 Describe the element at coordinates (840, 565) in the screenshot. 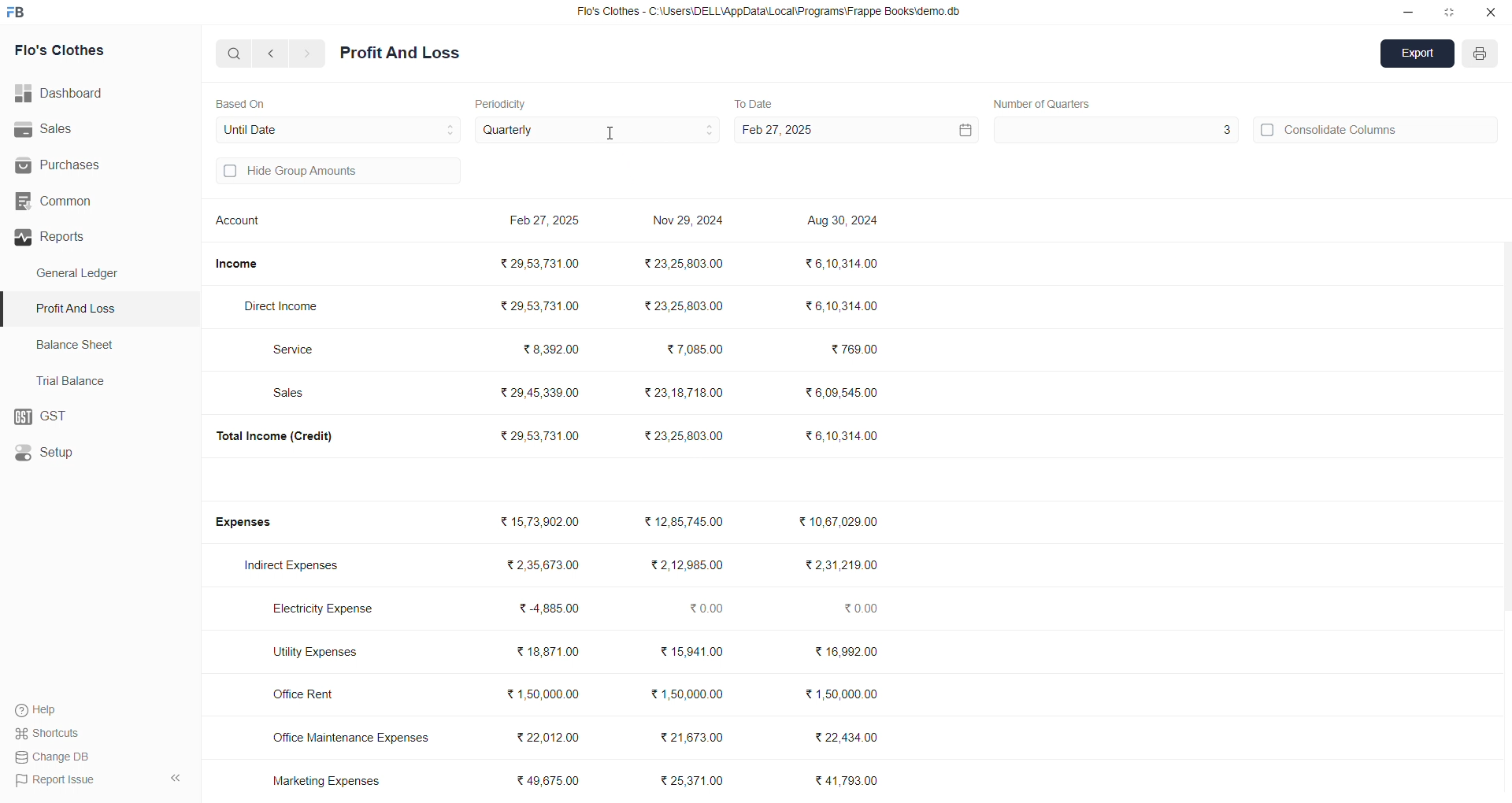

I see `₹2,31,219.00` at that location.